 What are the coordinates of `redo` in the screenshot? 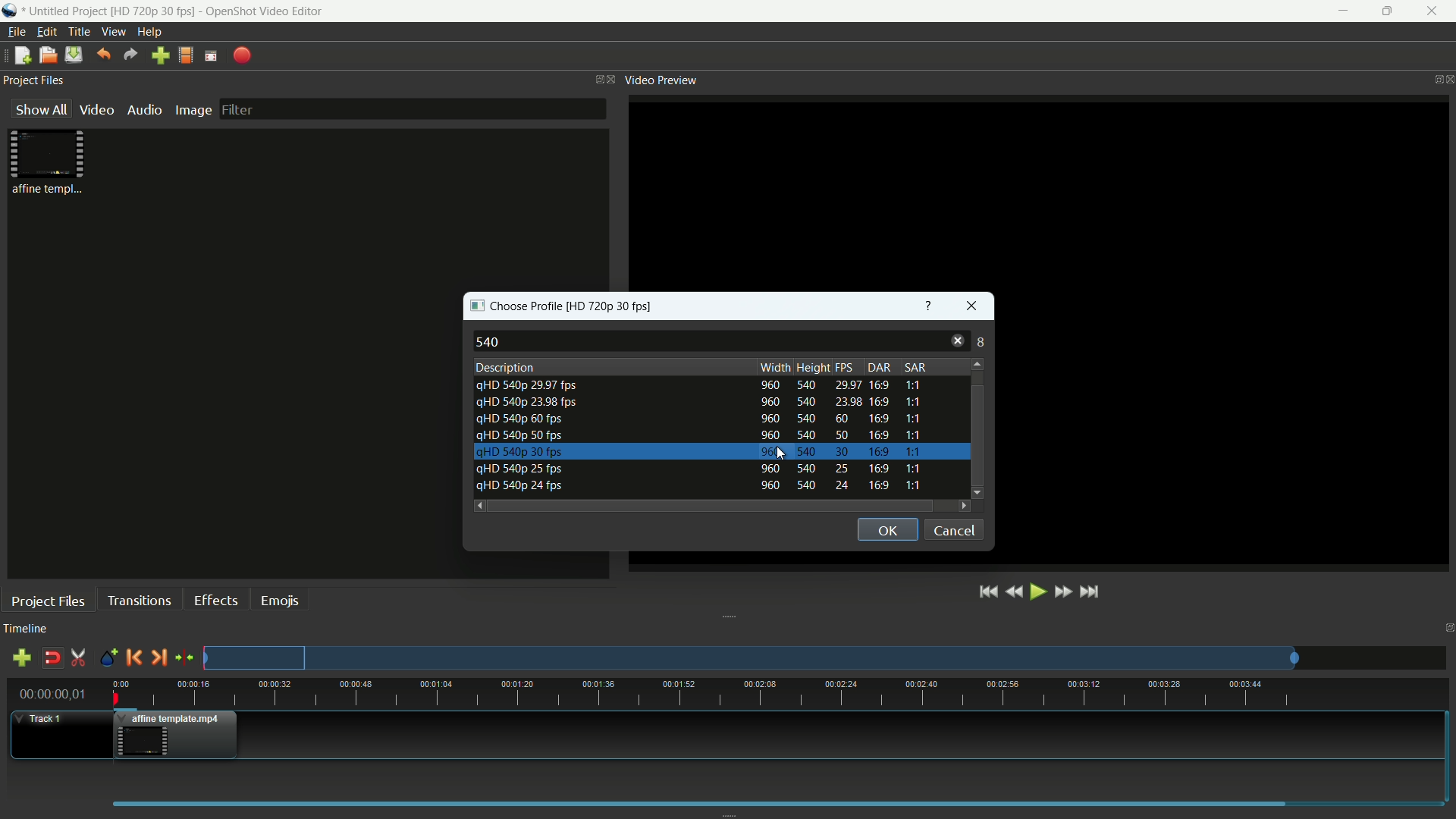 It's located at (131, 55).